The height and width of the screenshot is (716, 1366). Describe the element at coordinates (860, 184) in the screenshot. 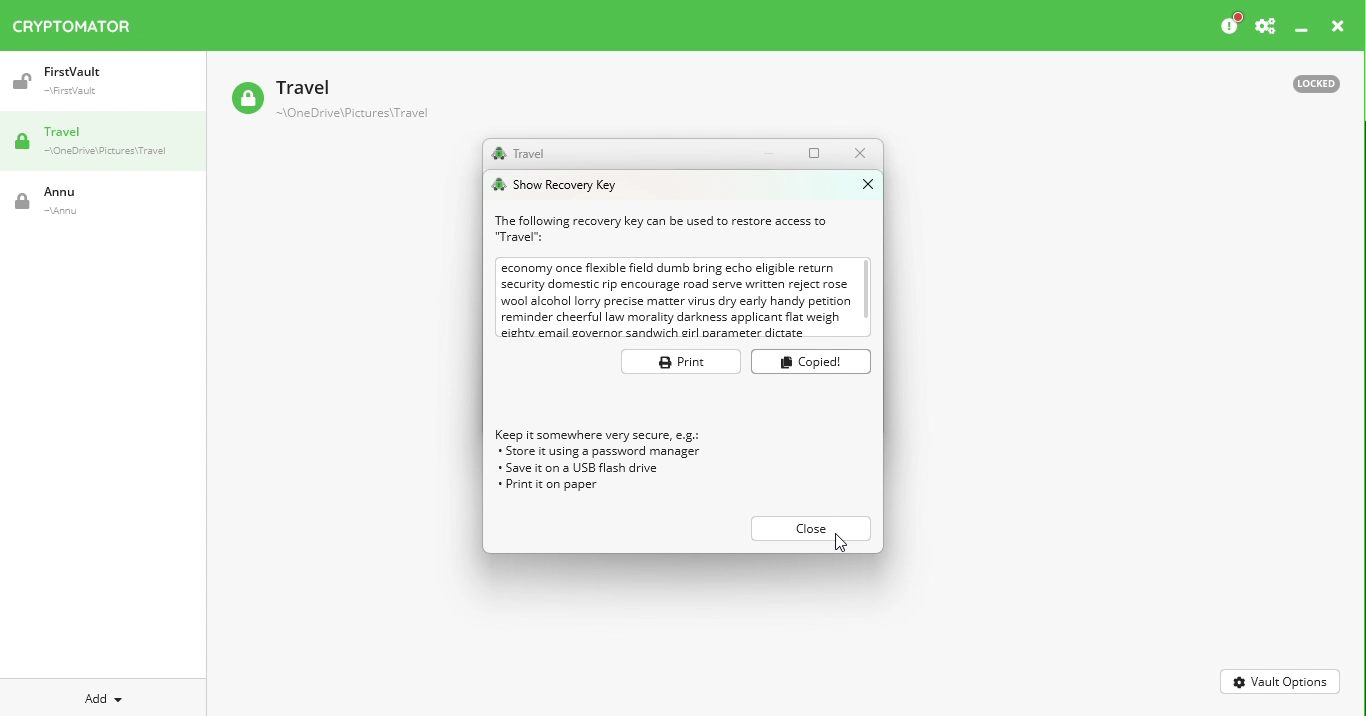

I see `Close` at that location.